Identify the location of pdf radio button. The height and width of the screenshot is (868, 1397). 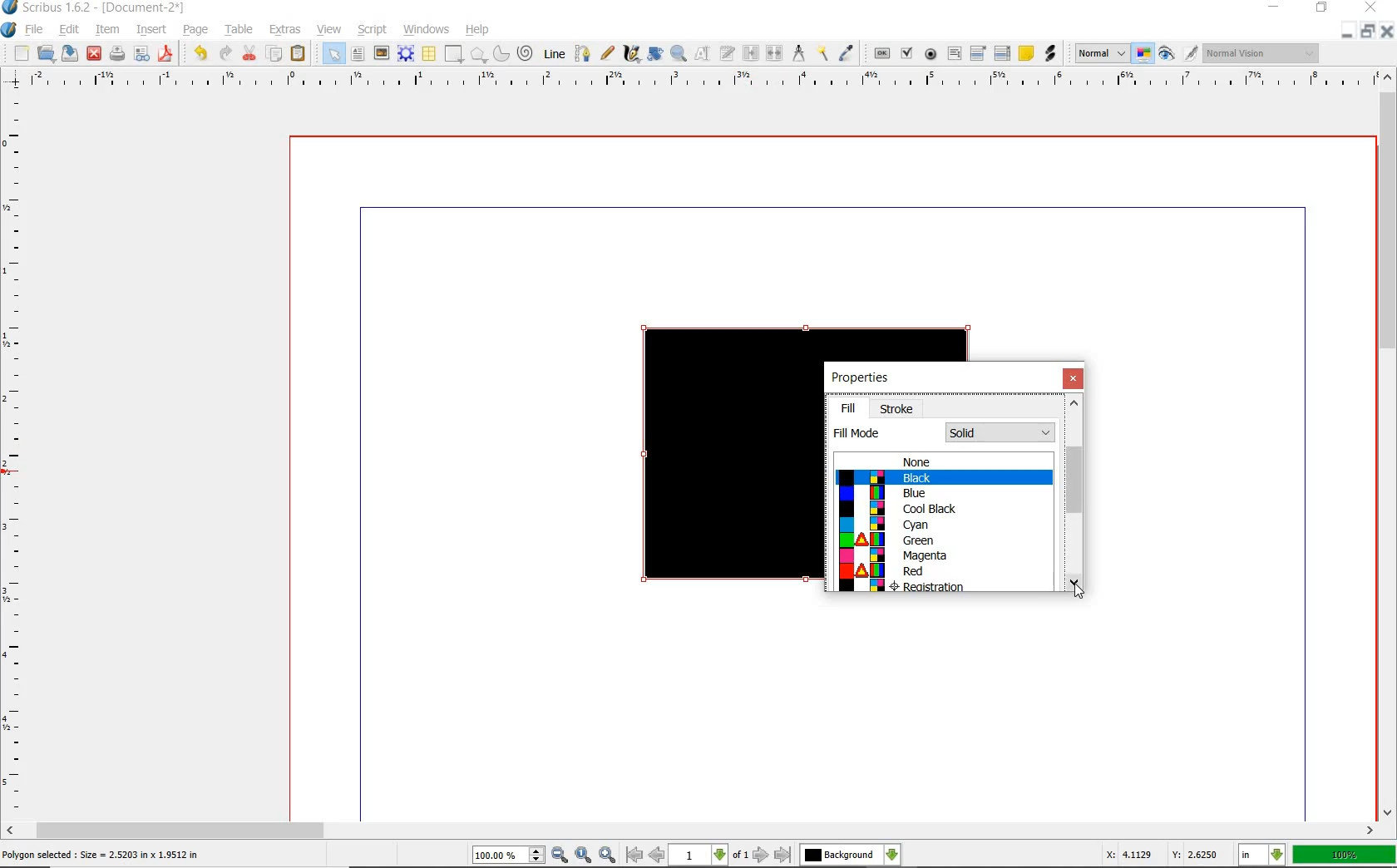
(927, 54).